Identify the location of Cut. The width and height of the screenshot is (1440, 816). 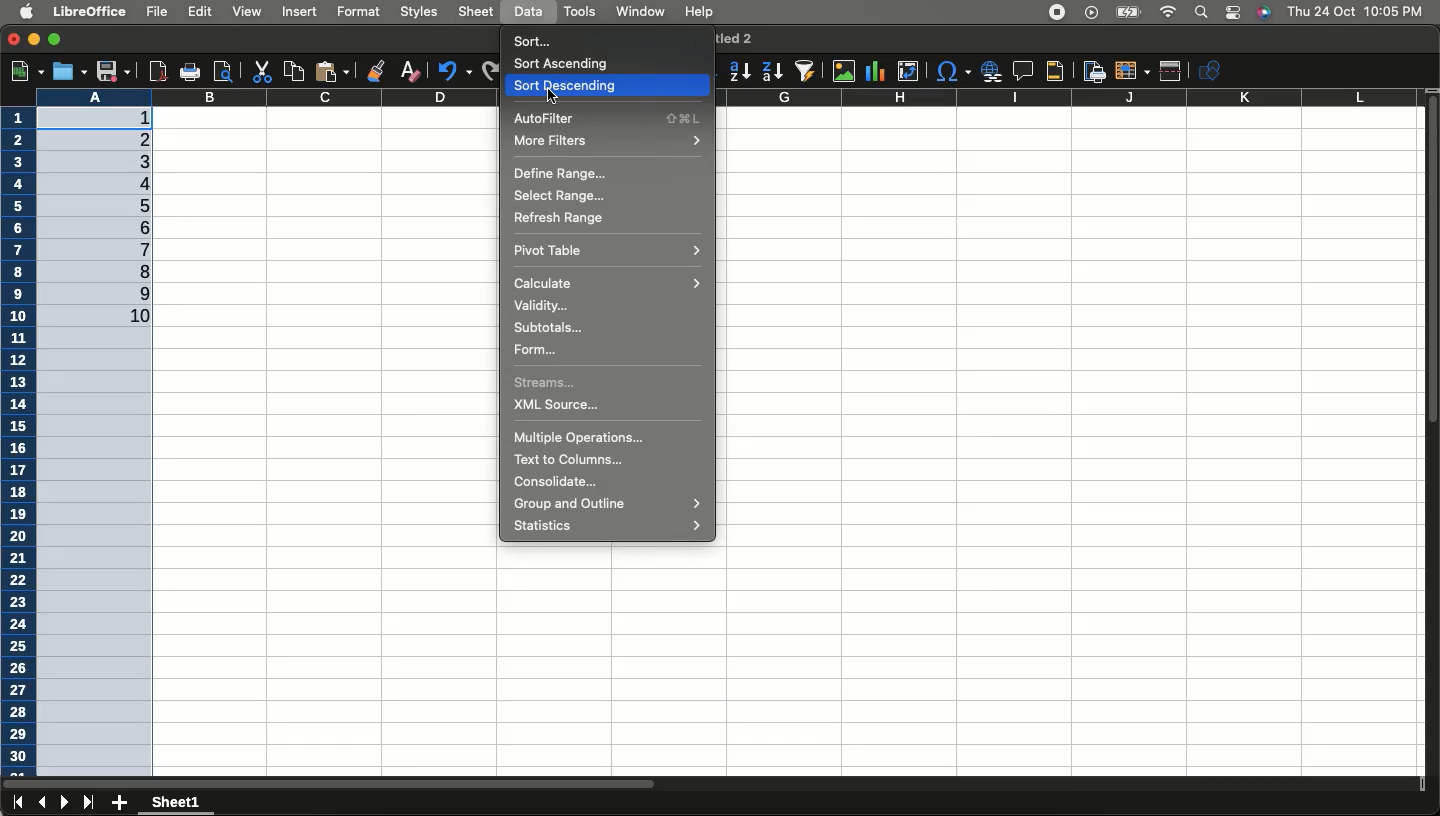
(260, 71).